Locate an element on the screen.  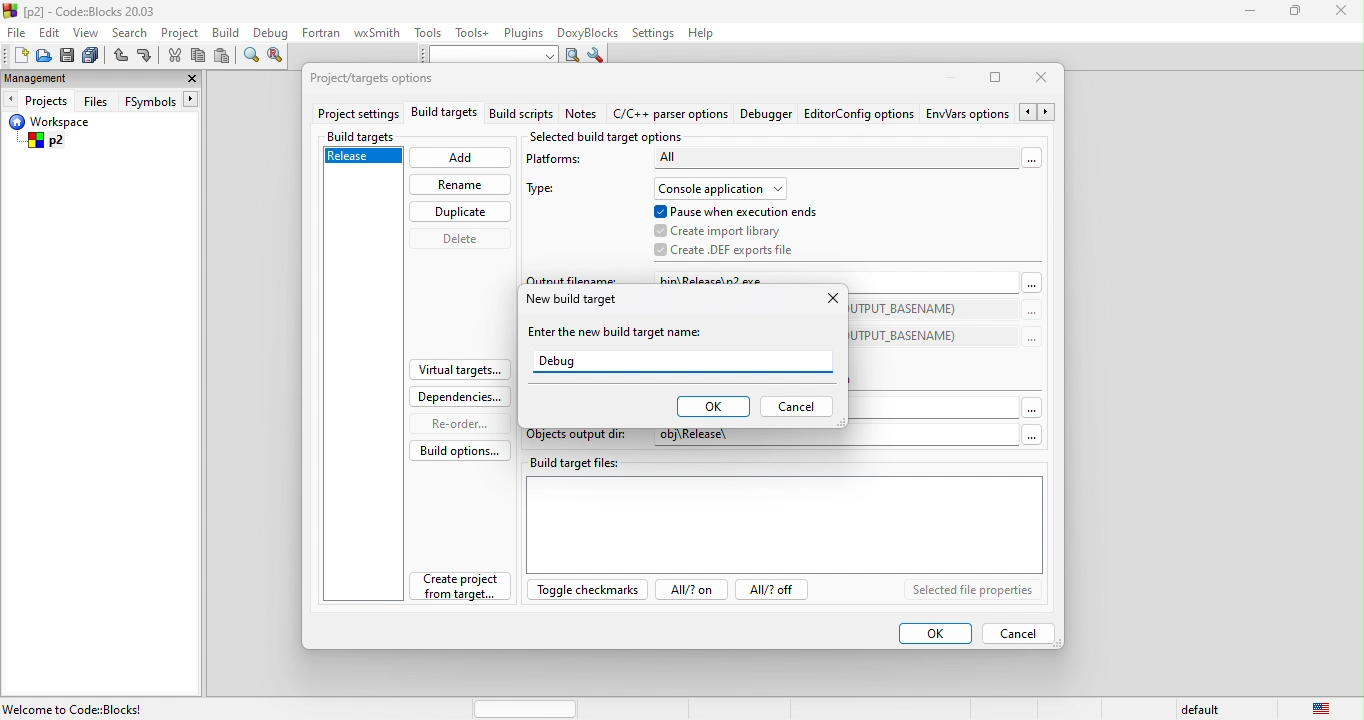
new build target is located at coordinates (589, 299).